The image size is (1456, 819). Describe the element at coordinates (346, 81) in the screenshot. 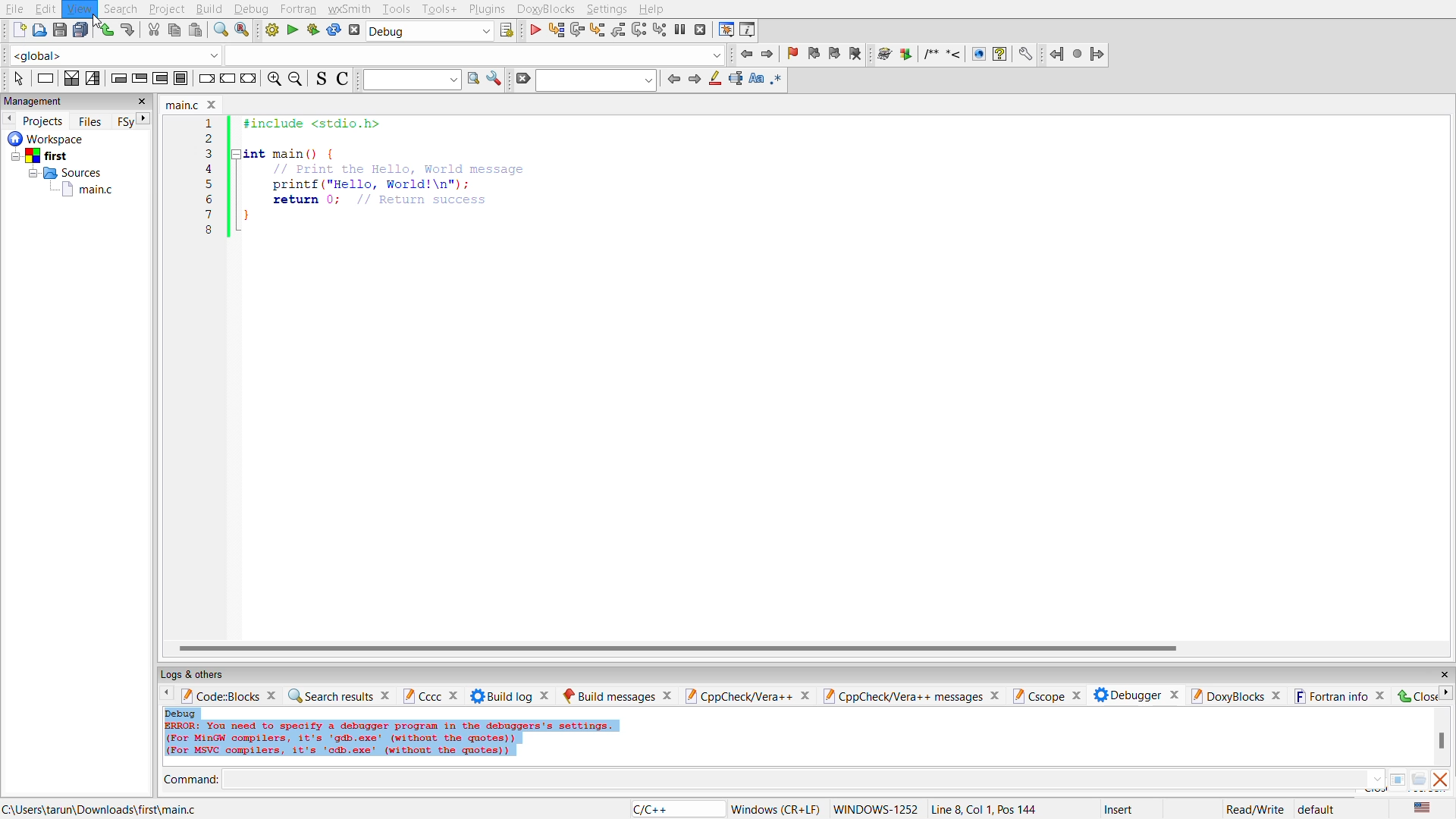

I see `toggle comments` at that location.